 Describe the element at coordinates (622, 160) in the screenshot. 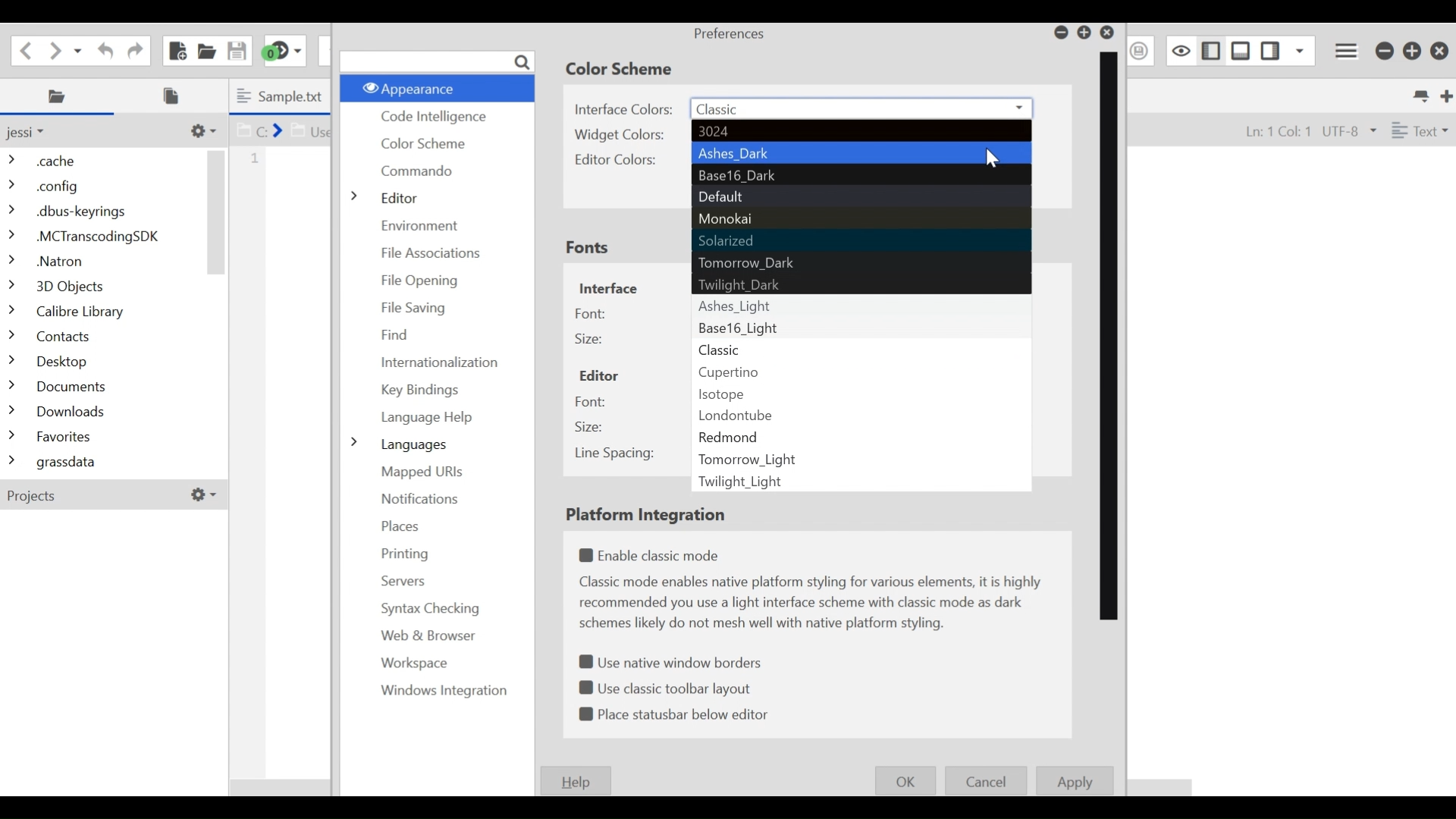

I see `Editor Colors` at that location.